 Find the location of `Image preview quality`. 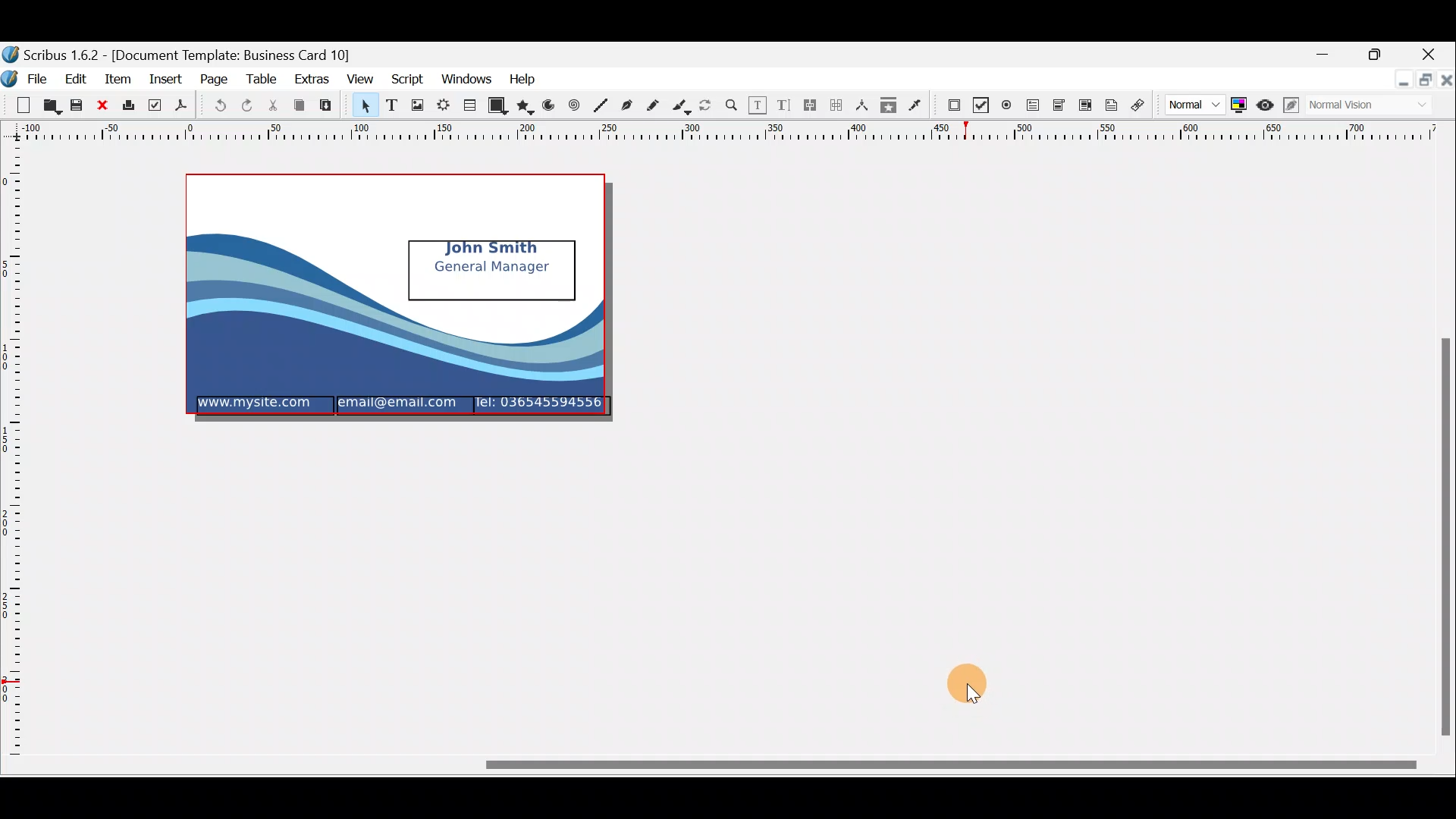

Image preview quality is located at coordinates (1187, 106).